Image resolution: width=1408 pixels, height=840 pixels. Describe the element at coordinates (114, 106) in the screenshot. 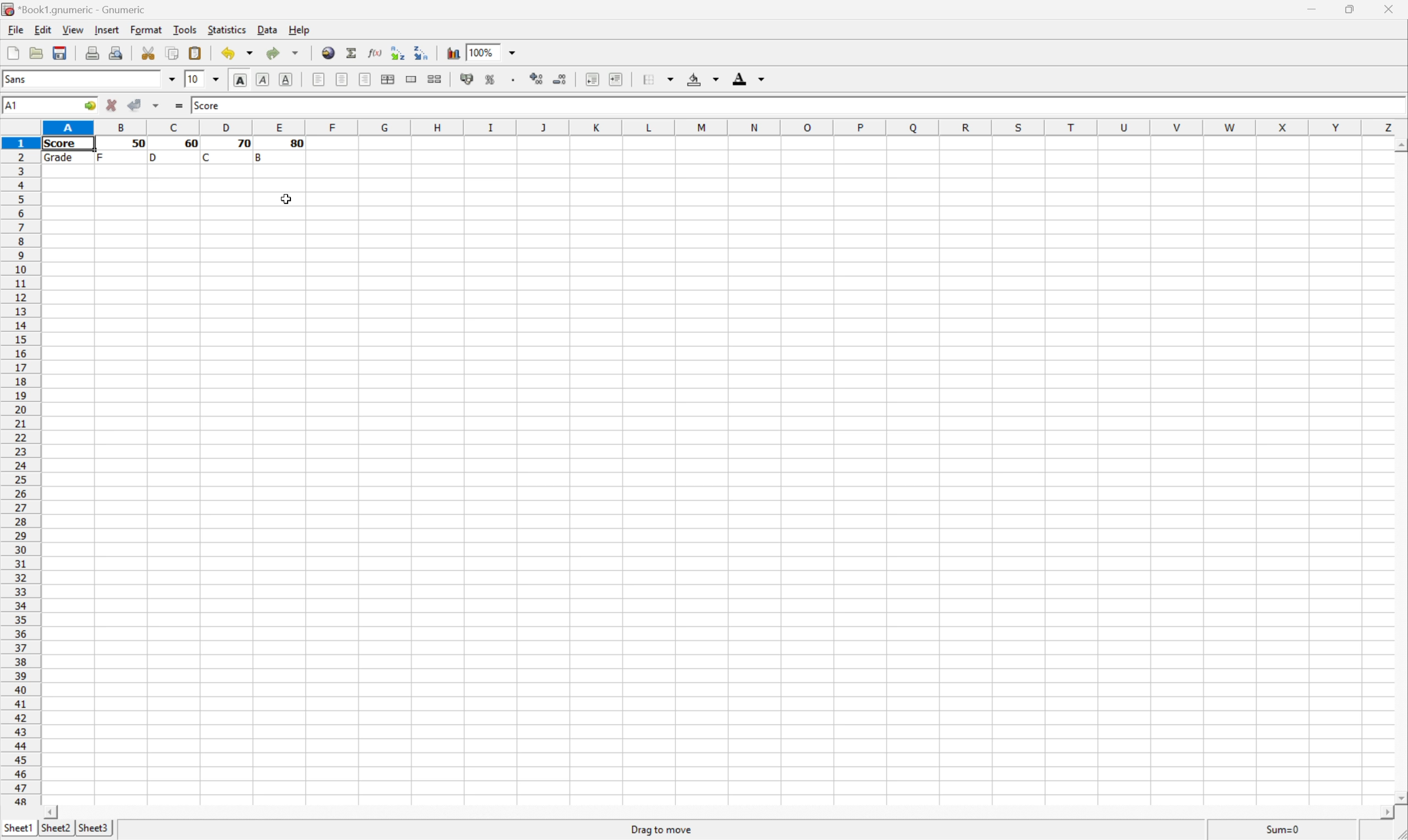

I see `Cancel change` at that location.